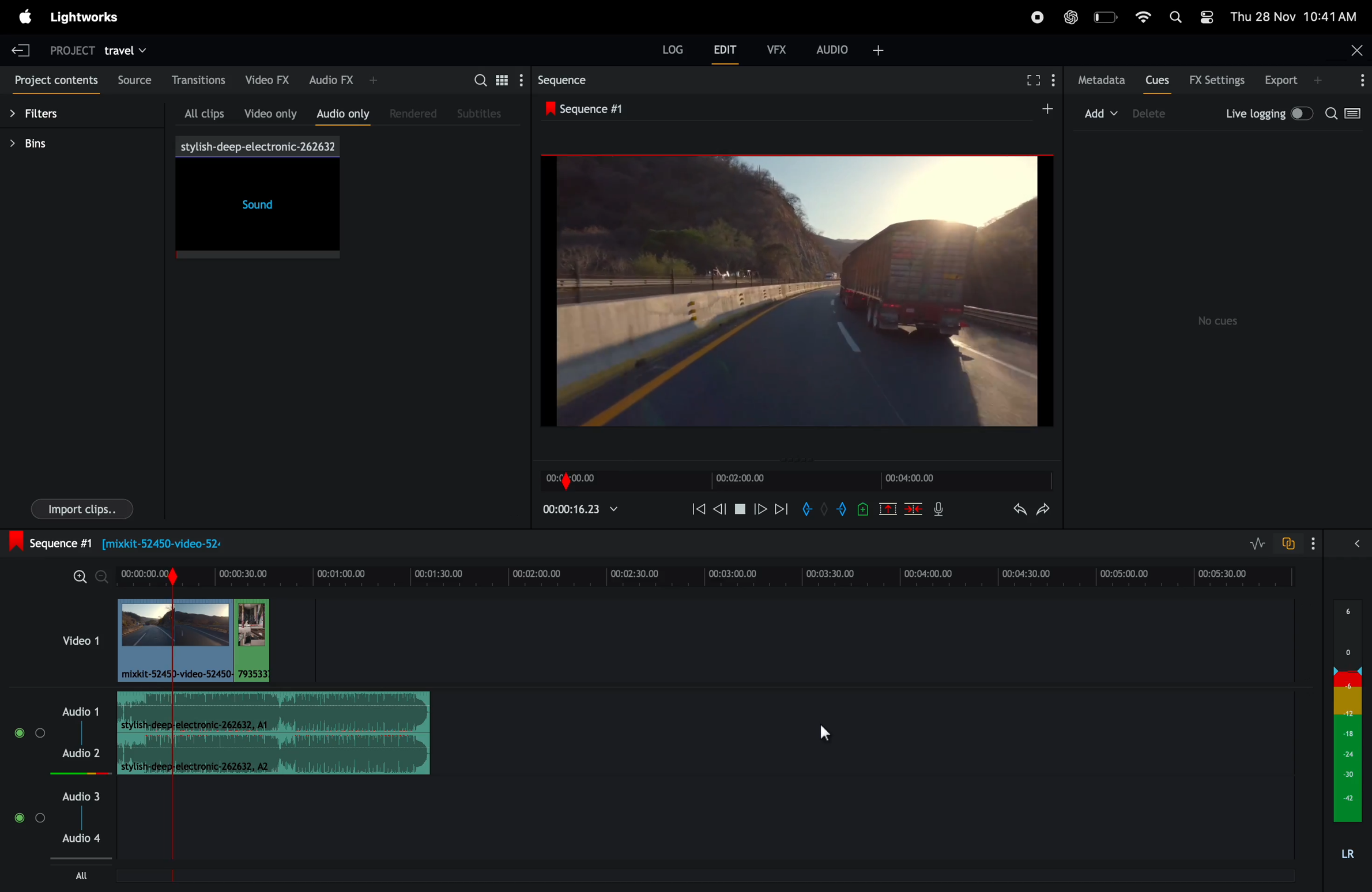  Describe the element at coordinates (1099, 80) in the screenshot. I see `meta data` at that location.